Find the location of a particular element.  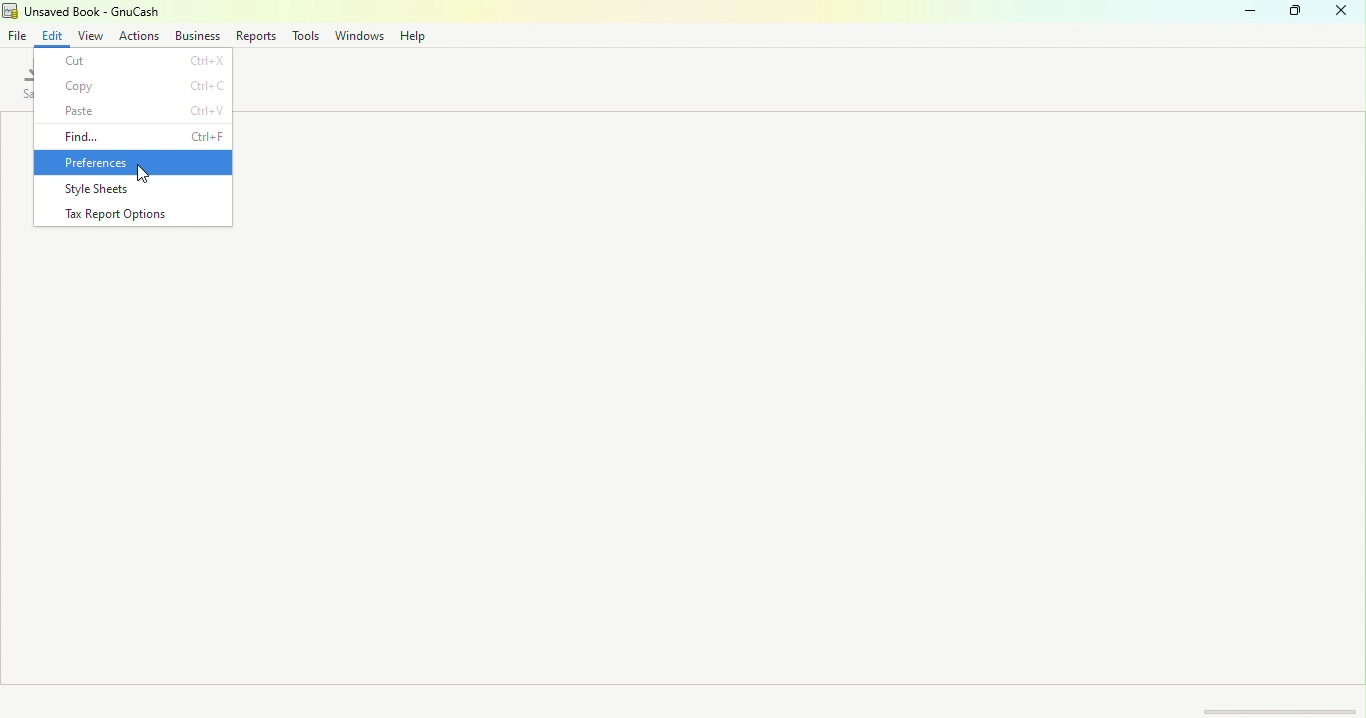

Cut is located at coordinates (134, 61).